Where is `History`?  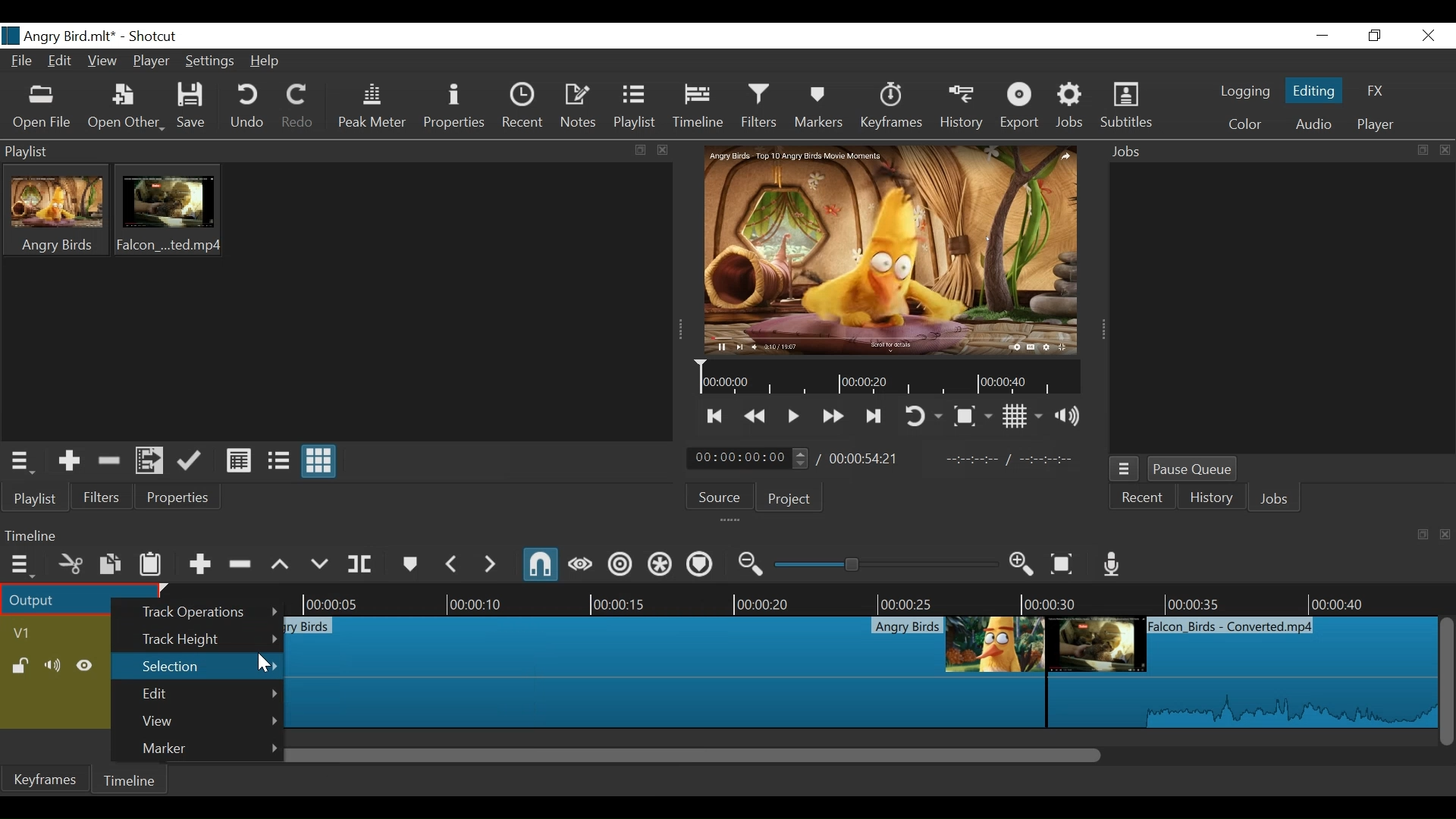
History is located at coordinates (1213, 497).